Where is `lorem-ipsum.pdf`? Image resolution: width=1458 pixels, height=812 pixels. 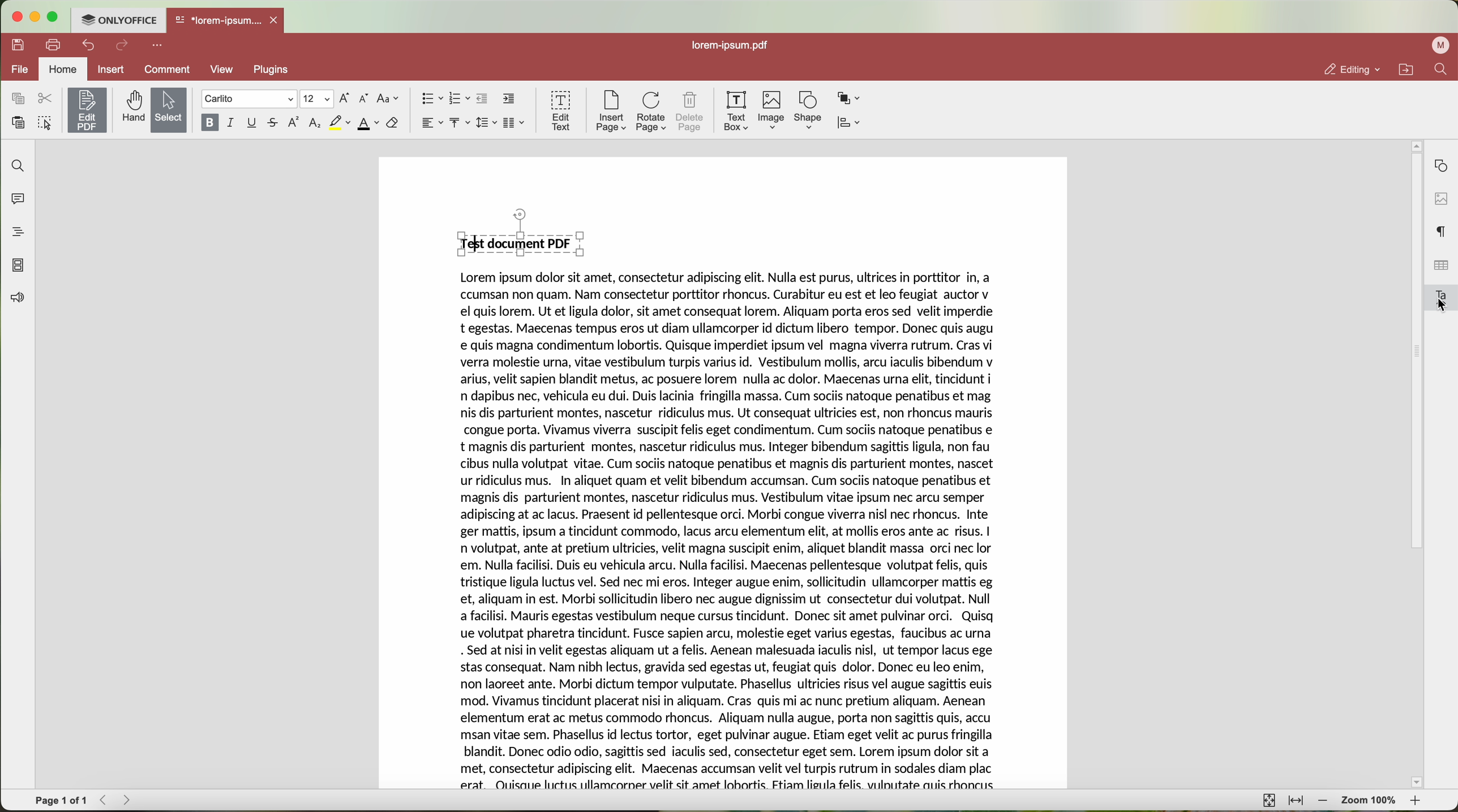 lorem-ipsum.pdf is located at coordinates (728, 46).